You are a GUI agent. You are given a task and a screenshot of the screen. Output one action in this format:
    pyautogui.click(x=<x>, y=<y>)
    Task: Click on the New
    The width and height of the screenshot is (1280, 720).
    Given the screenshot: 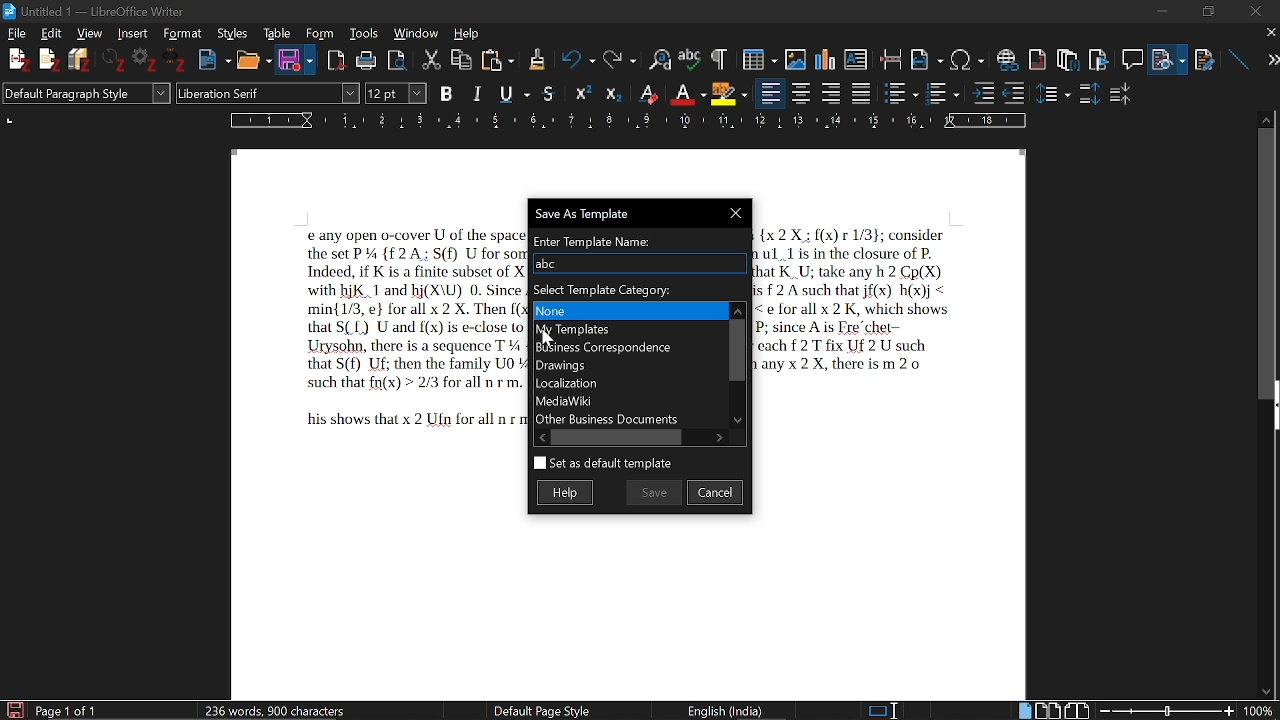 What is the action you would take?
    pyautogui.click(x=214, y=58)
    